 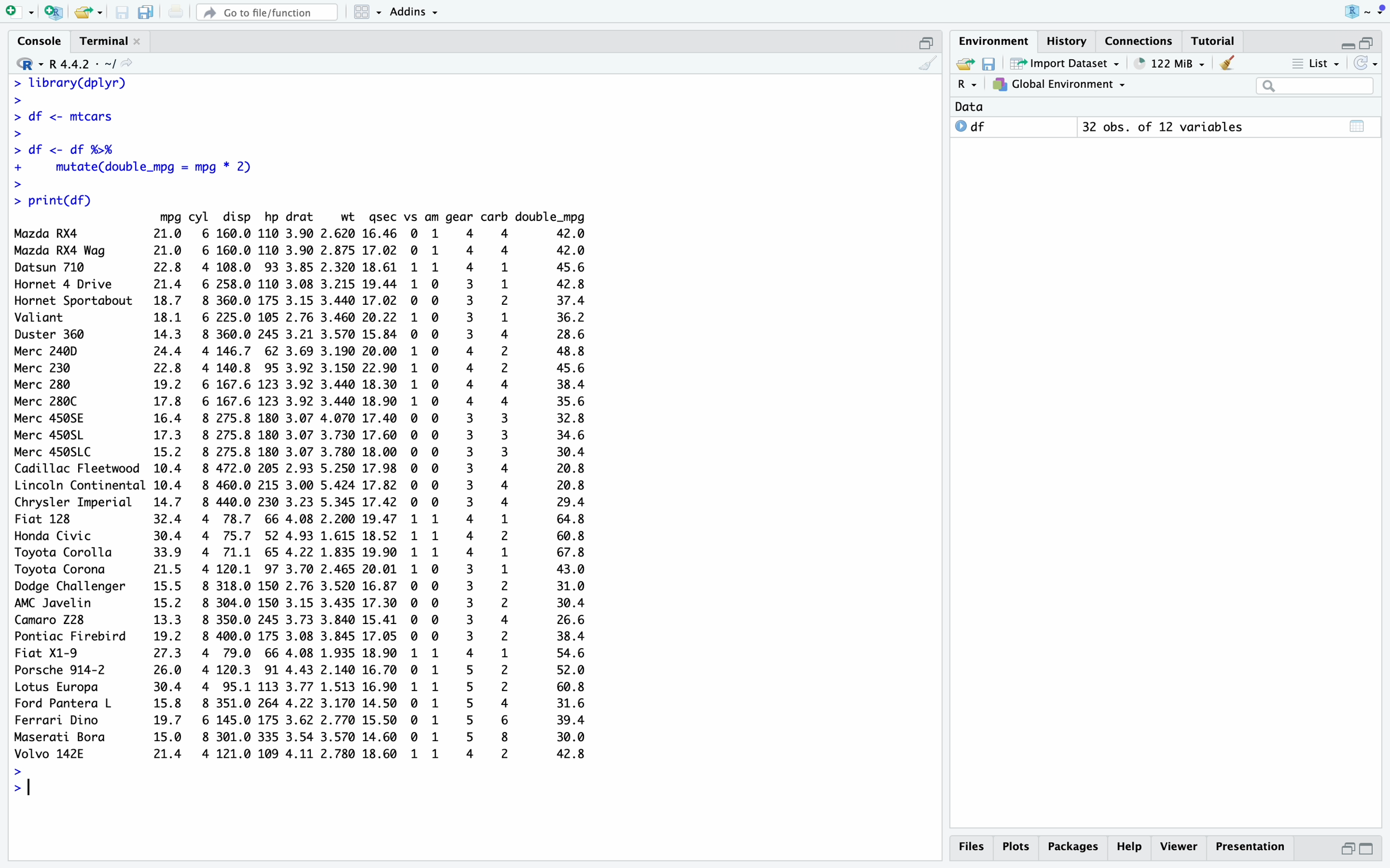 What do you see at coordinates (1347, 849) in the screenshot?
I see `open in separate window` at bounding box center [1347, 849].